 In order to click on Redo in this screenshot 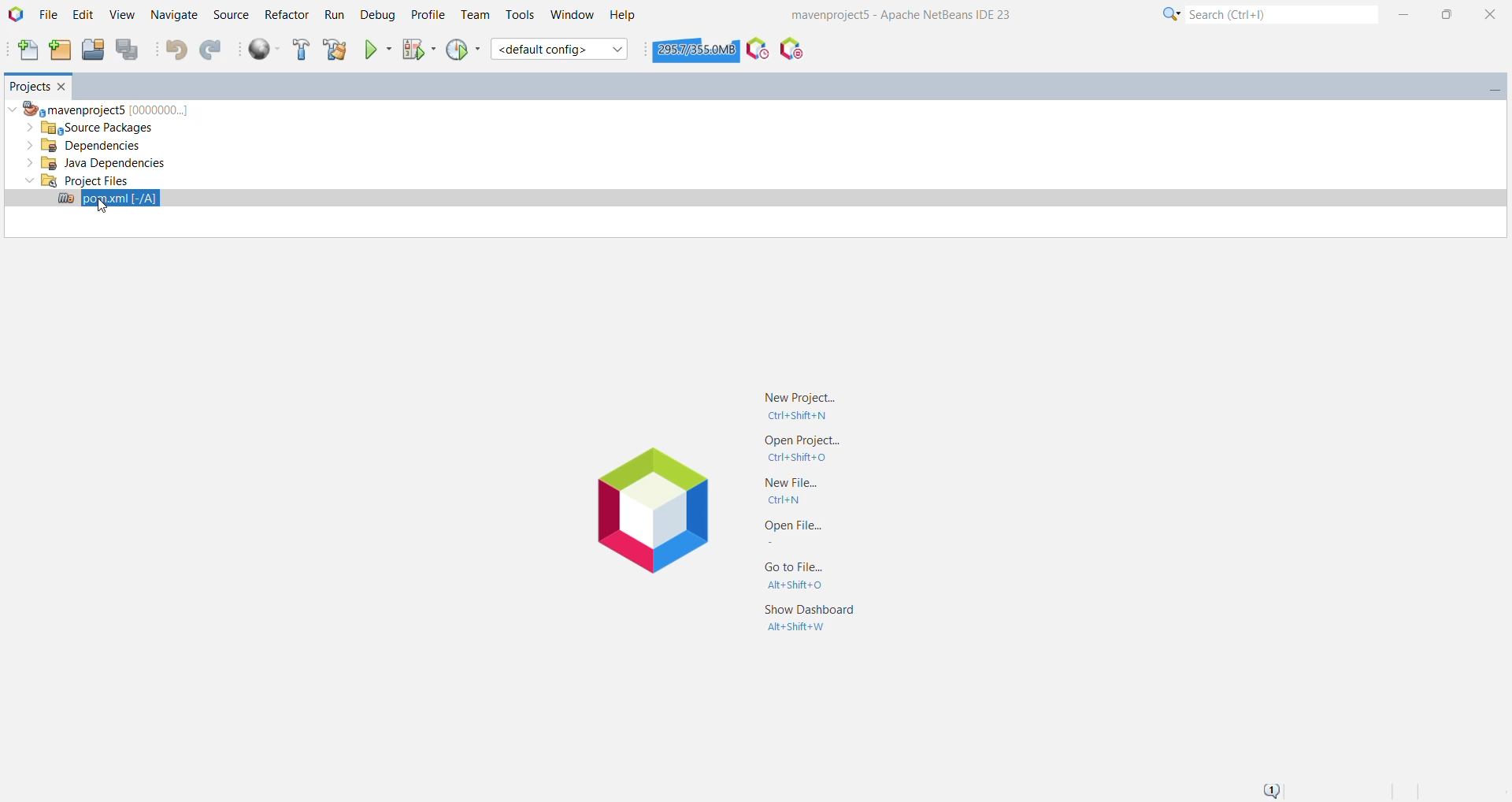, I will do `click(213, 50)`.